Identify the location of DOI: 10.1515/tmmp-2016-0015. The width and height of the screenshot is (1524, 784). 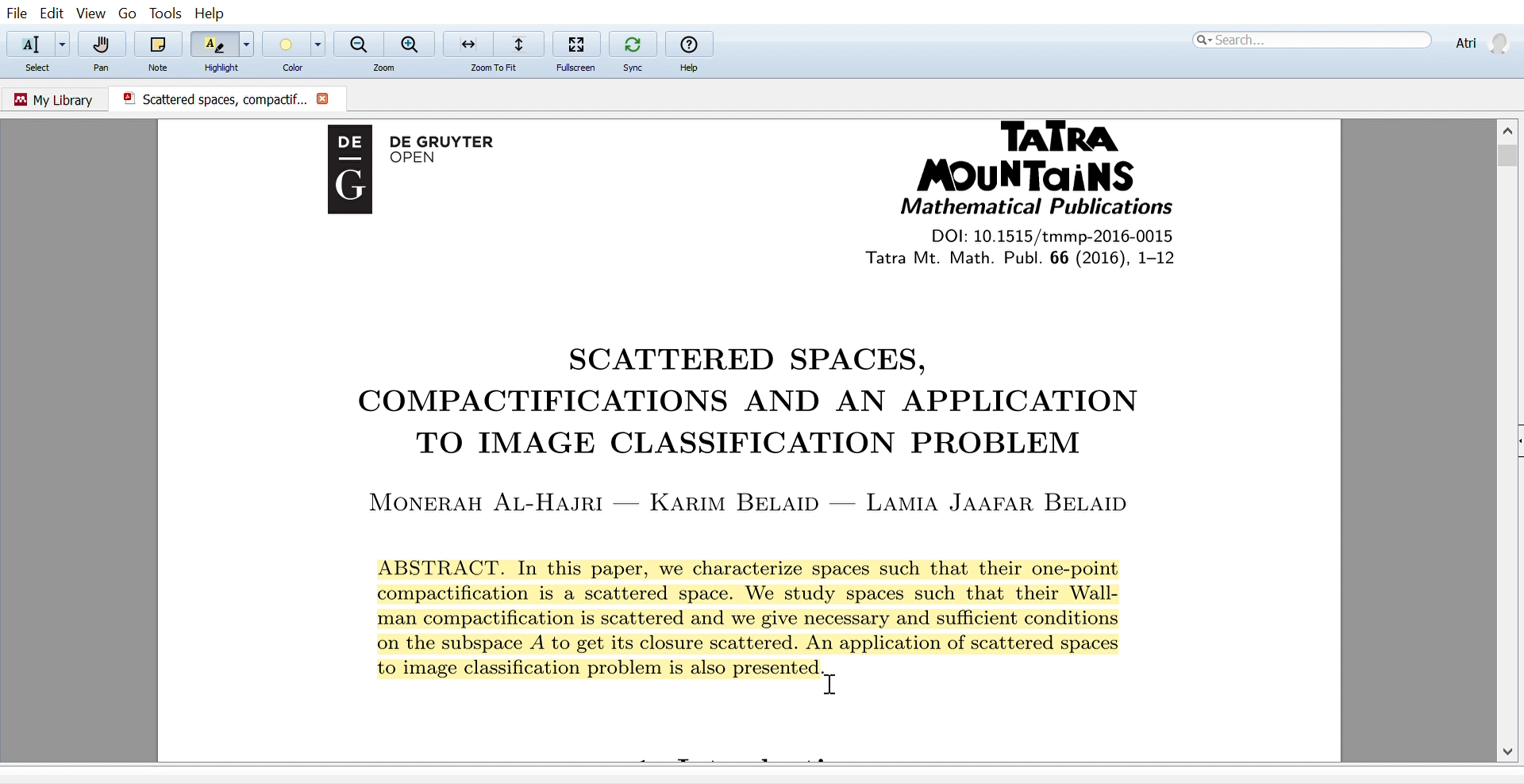
(1046, 235).